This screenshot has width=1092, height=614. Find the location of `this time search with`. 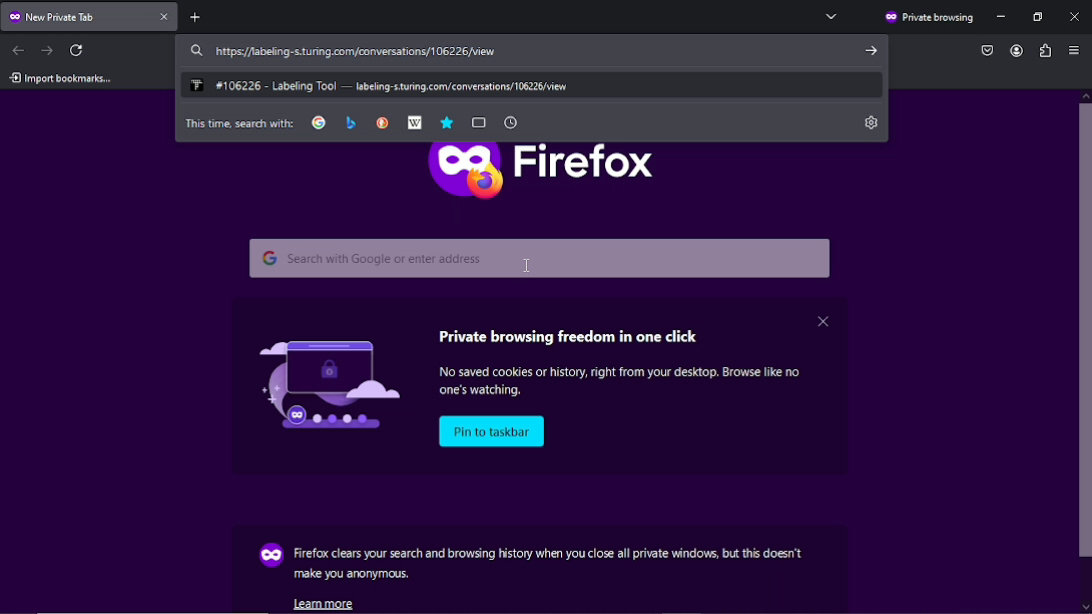

this time search with is located at coordinates (239, 123).